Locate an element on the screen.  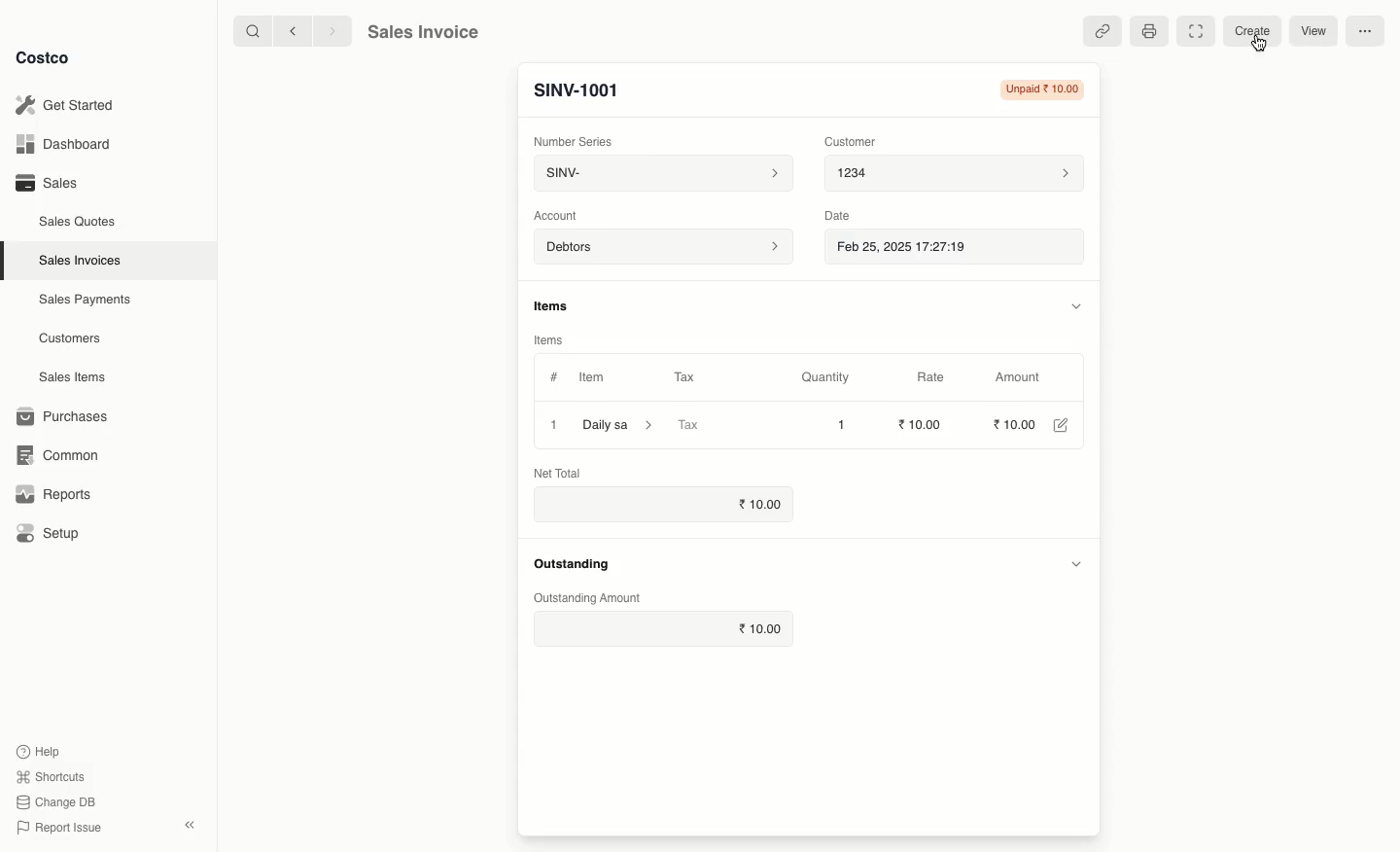
# is located at coordinates (554, 377).